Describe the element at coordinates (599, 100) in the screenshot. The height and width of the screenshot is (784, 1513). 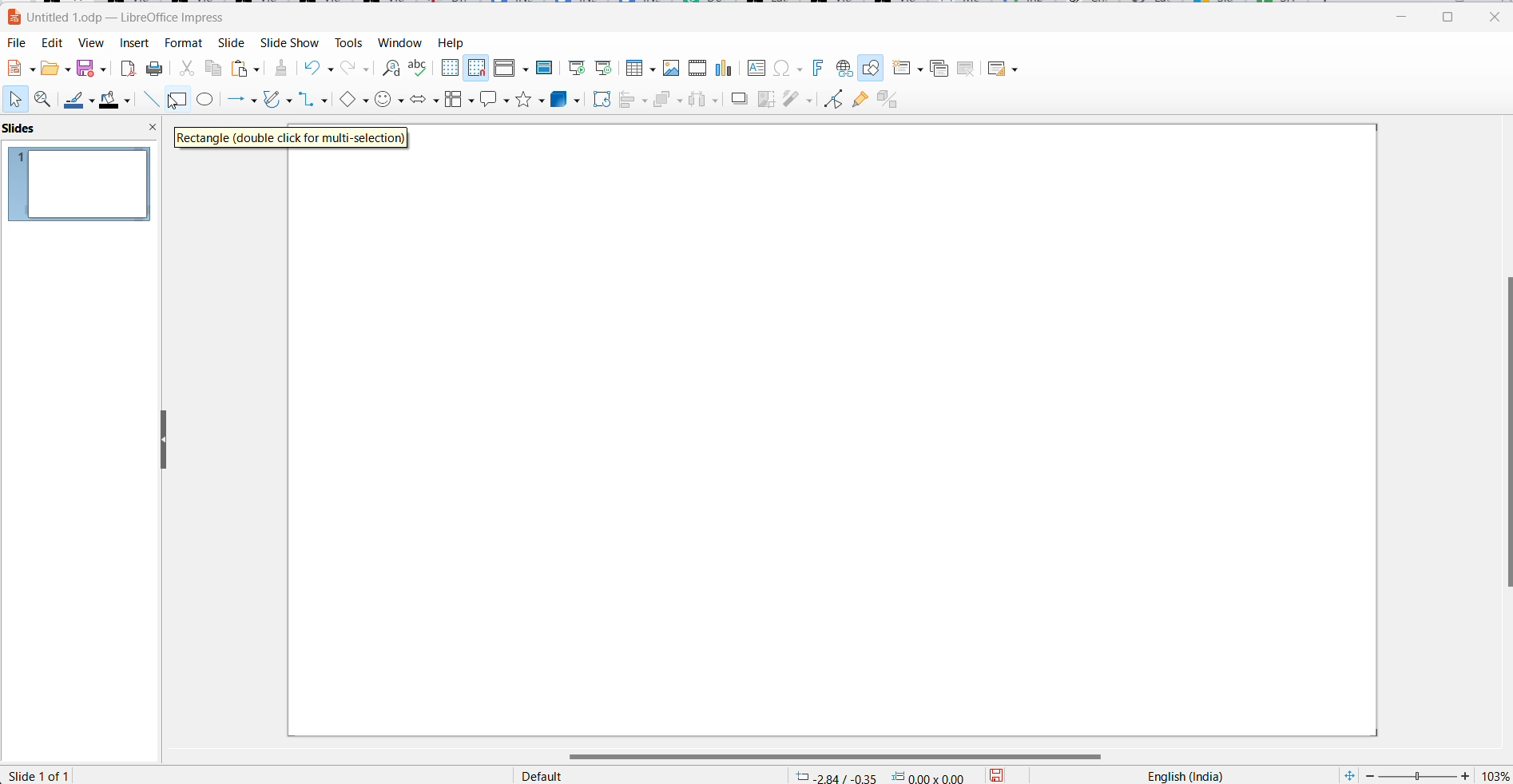
I see `rotate` at that location.